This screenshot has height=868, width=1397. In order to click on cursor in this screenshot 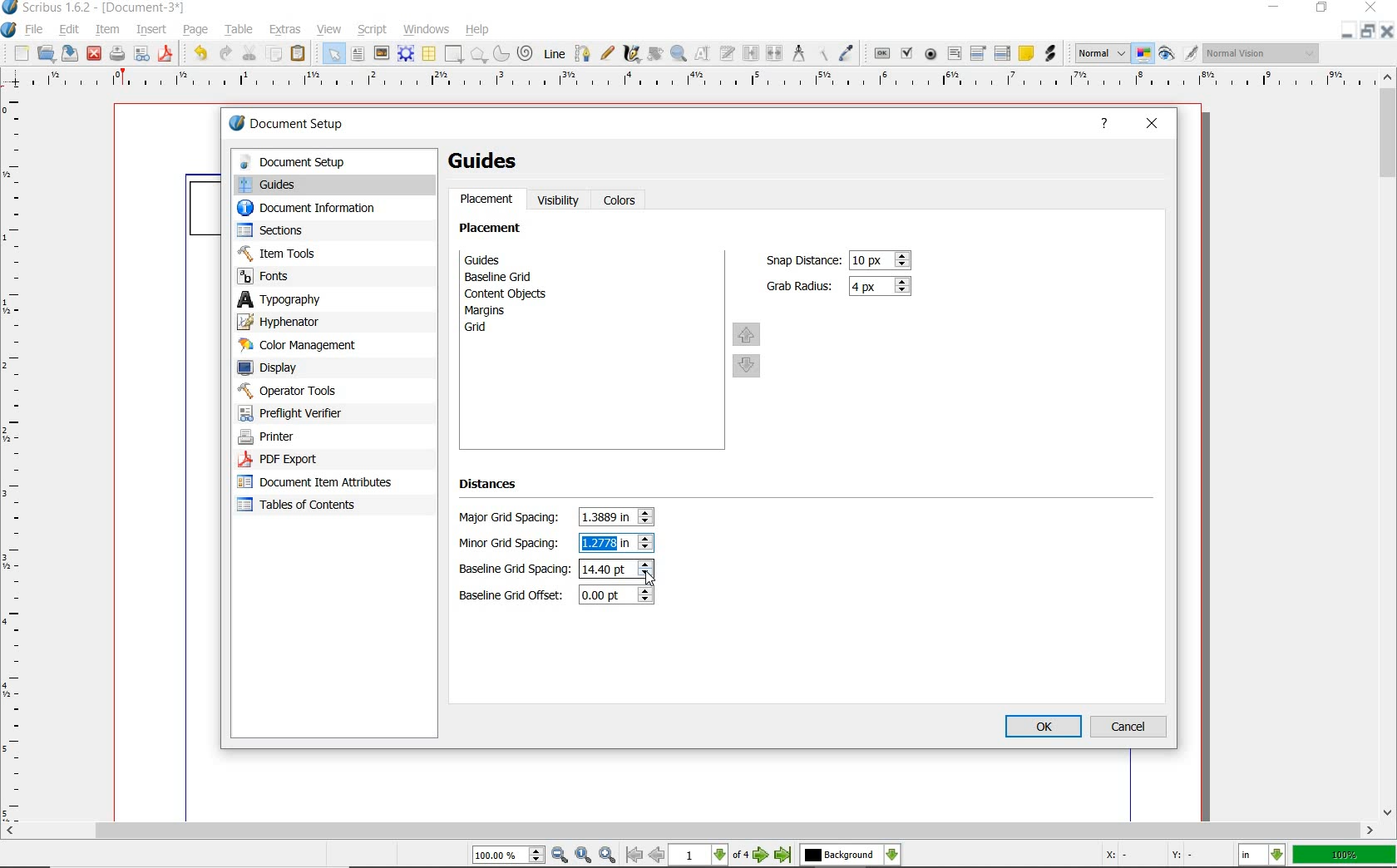, I will do `click(650, 580)`.